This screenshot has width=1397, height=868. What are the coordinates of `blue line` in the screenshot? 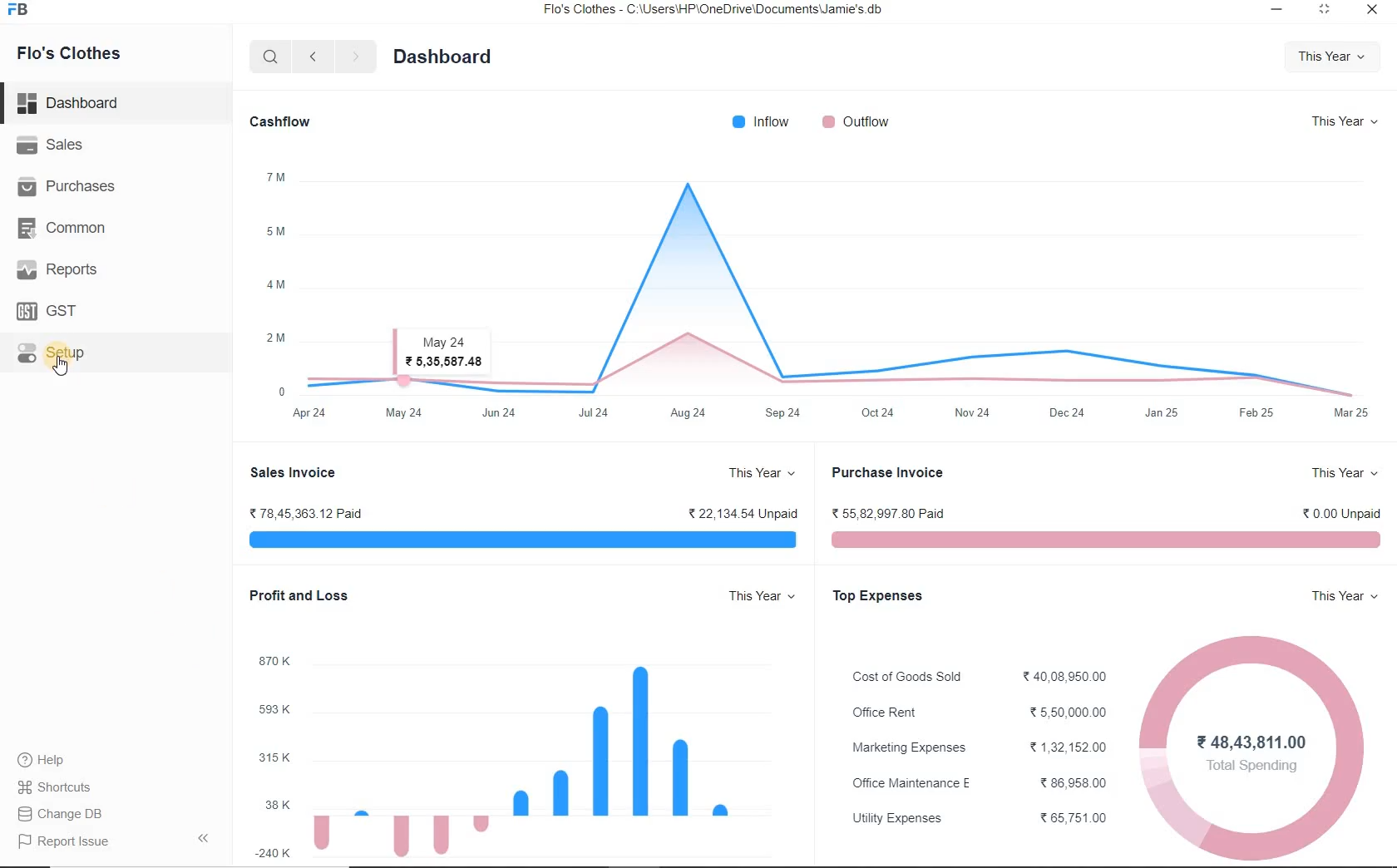 It's located at (520, 542).